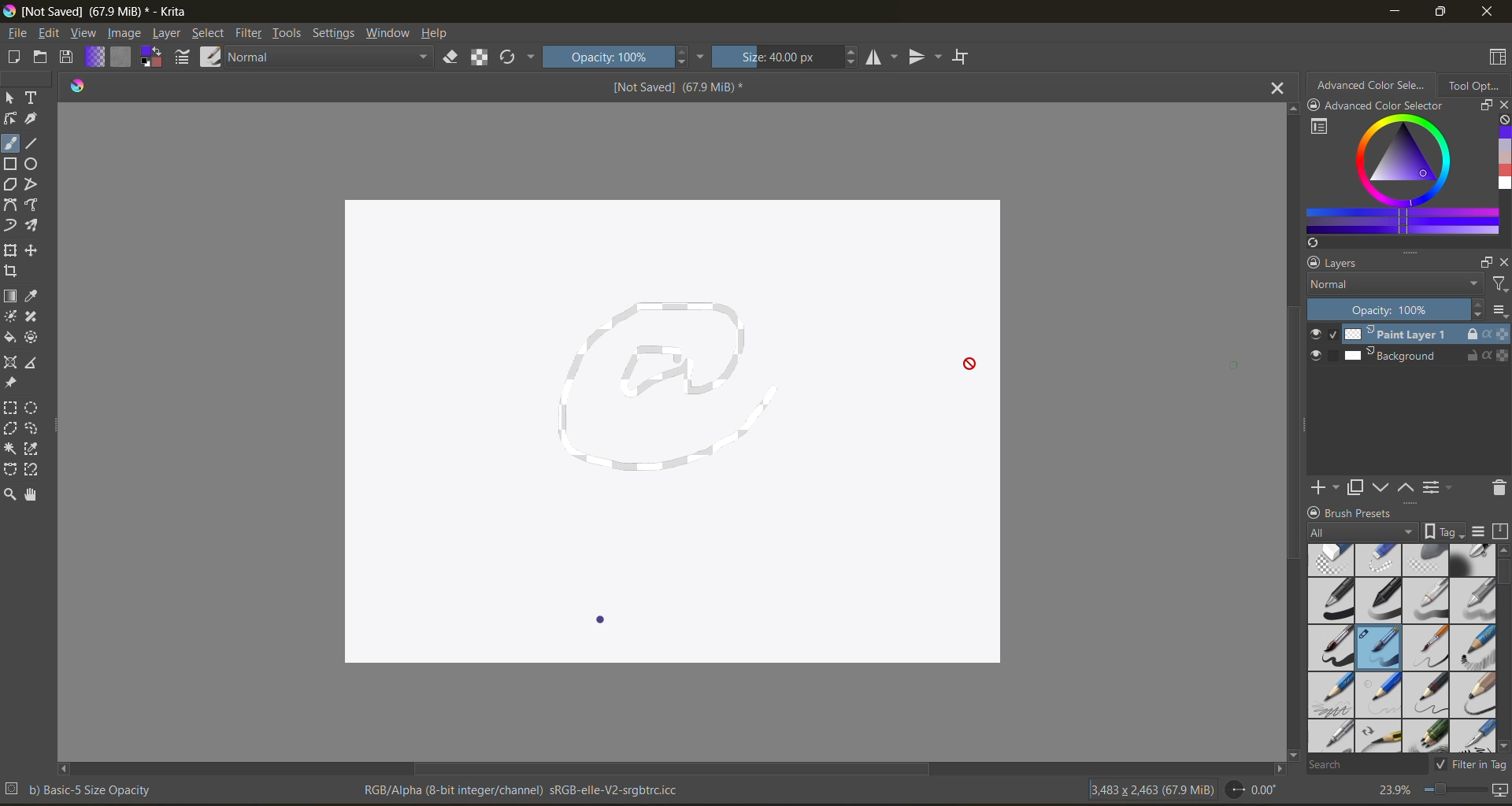  Describe the element at coordinates (1484, 12) in the screenshot. I see `close` at that location.